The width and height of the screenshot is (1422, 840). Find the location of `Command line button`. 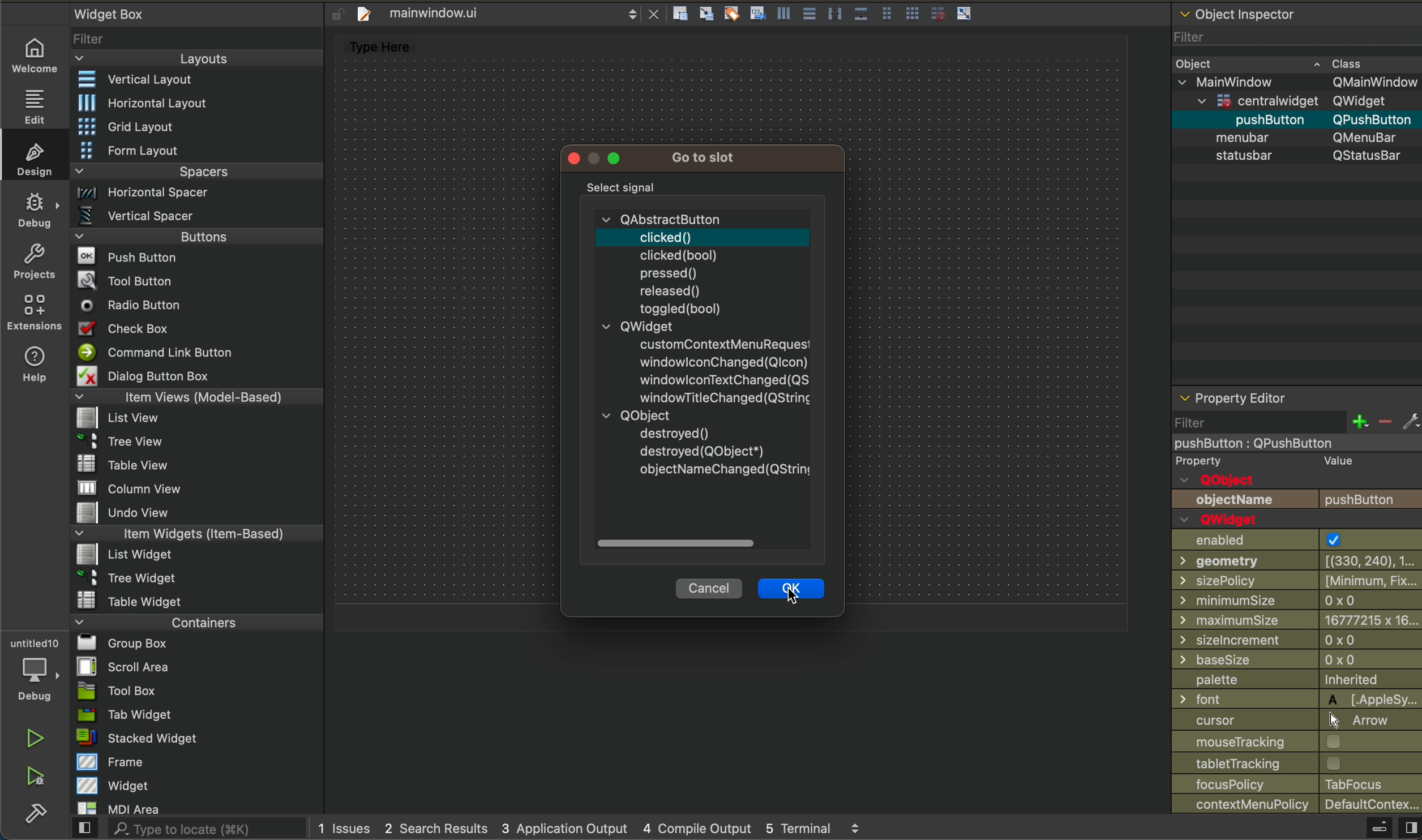

Command line button is located at coordinates (197, 352).